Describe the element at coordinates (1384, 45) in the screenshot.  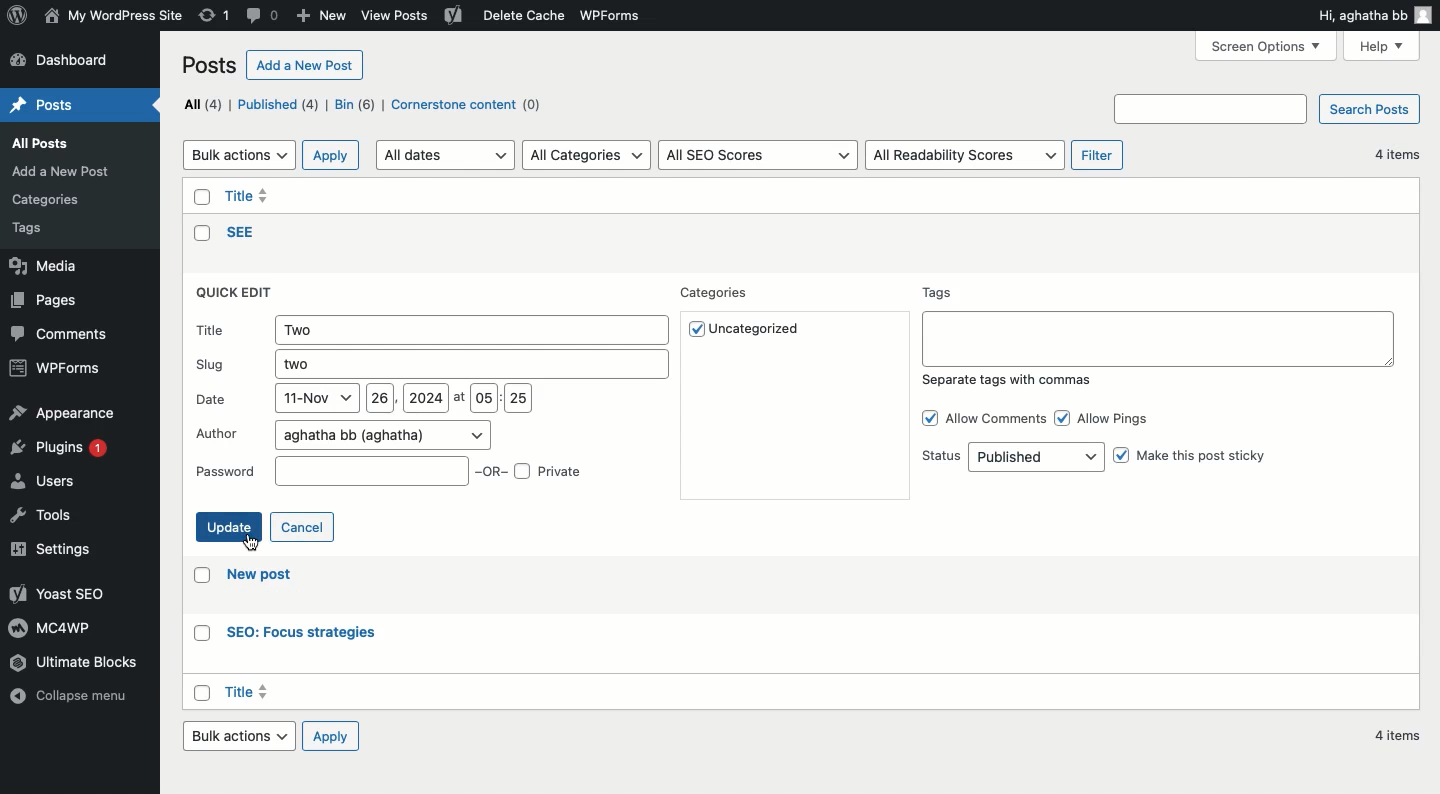
I see `Help` at that location.